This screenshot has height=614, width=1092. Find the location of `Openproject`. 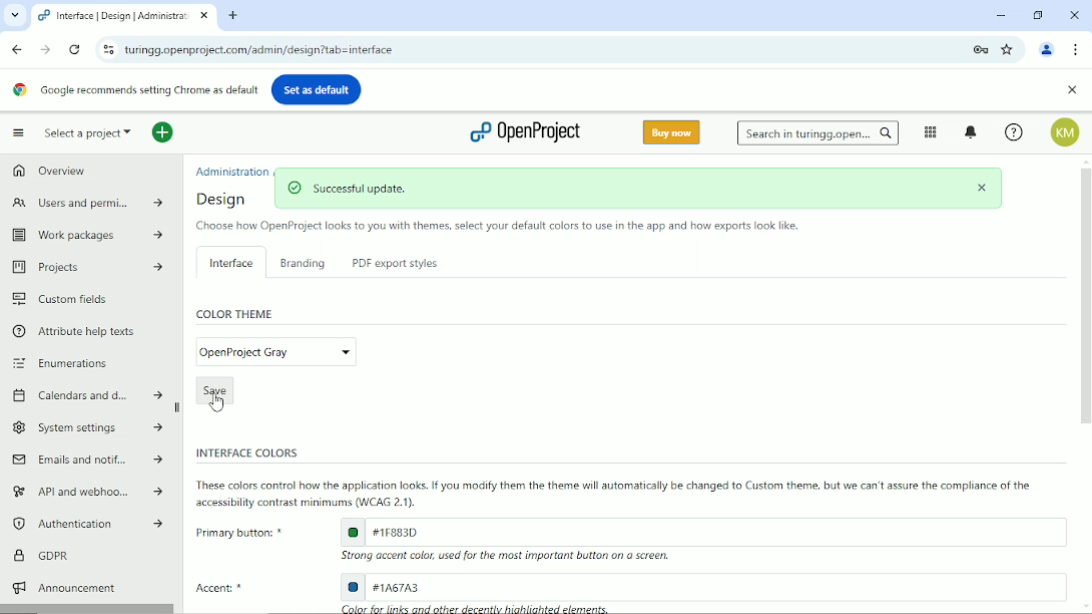

Openproject is located at coordinates (524, 132).